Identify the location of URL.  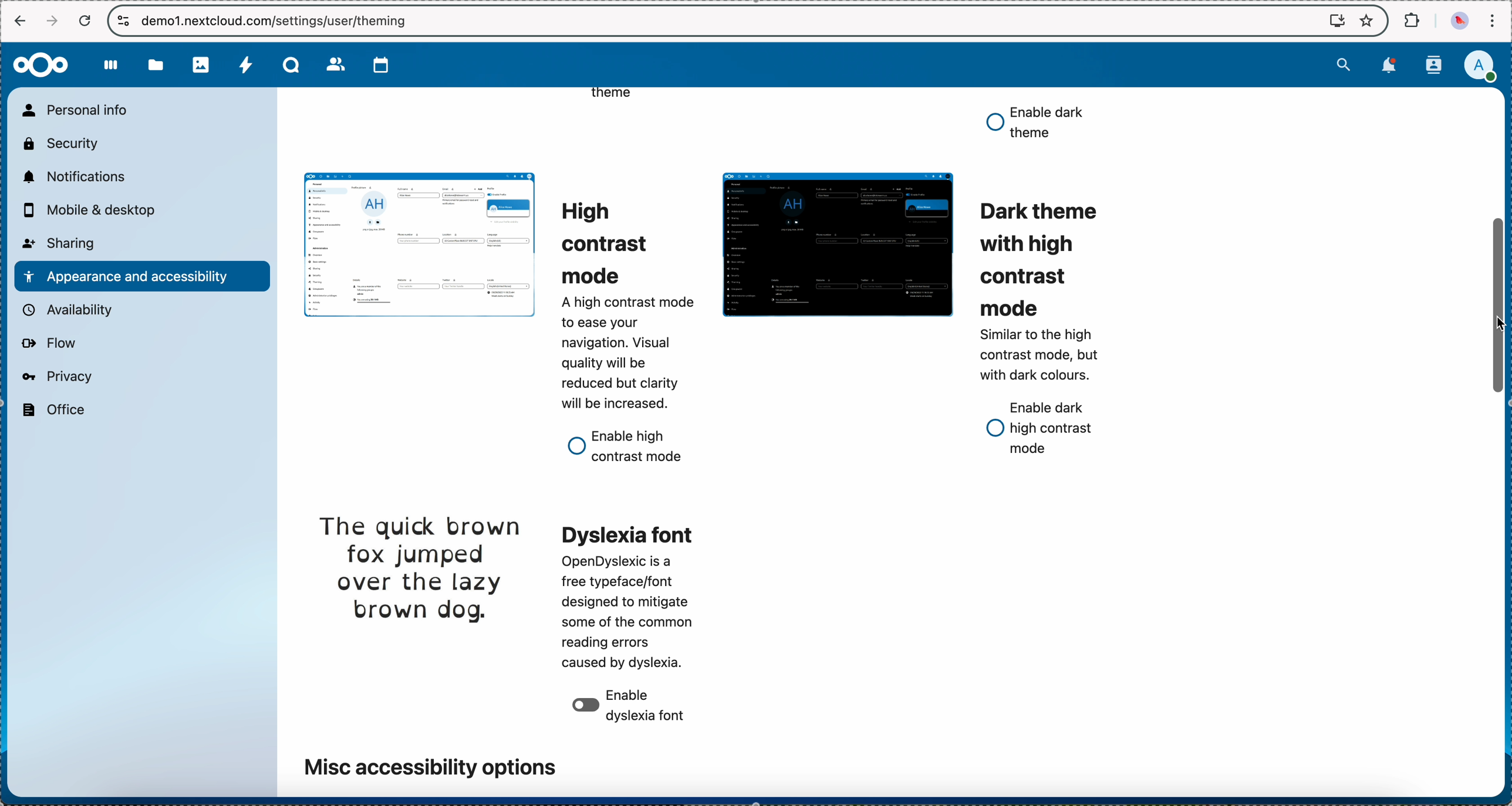
(283, 21).